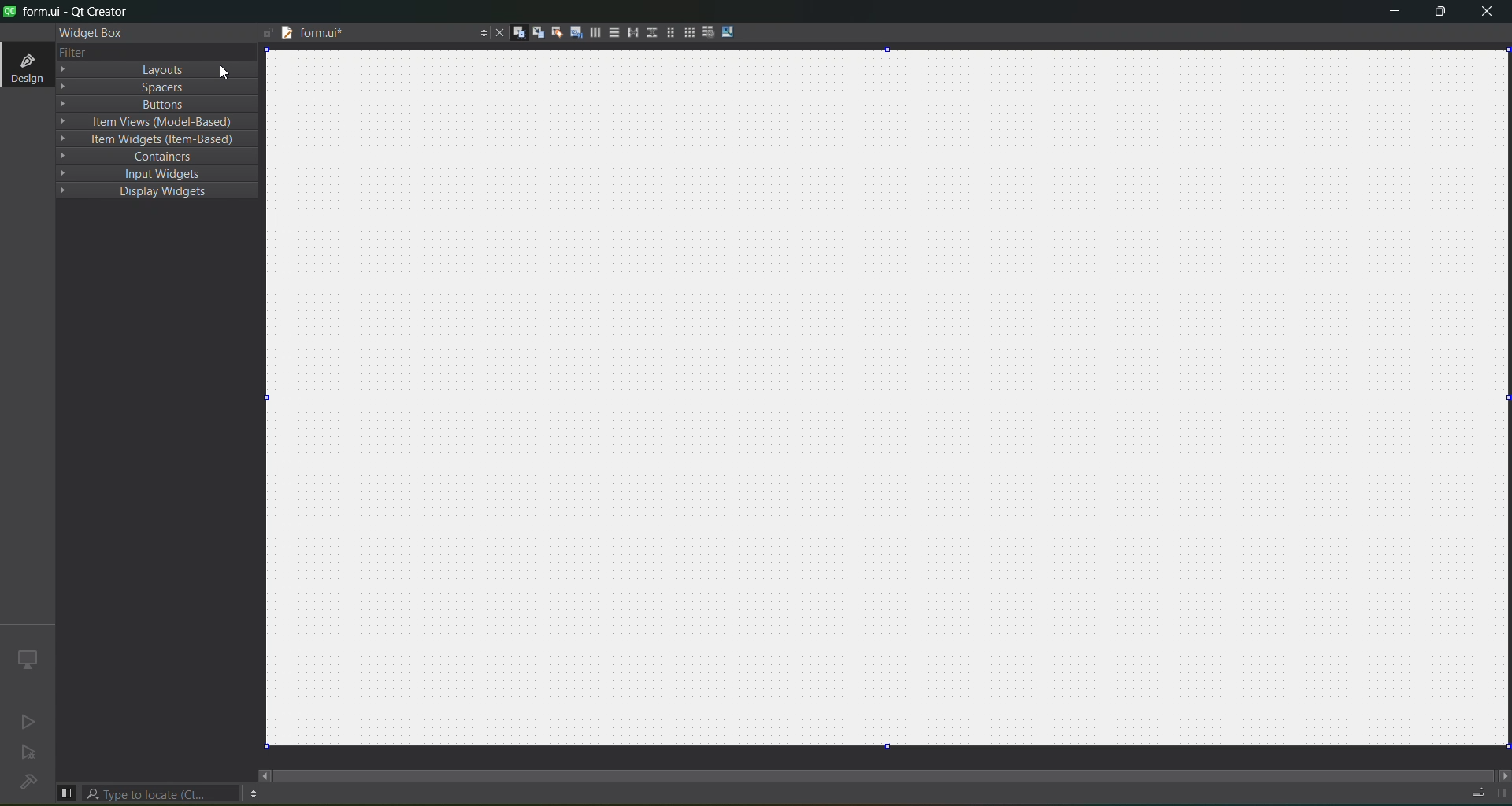  I want to click on item views, so click(159, 122).